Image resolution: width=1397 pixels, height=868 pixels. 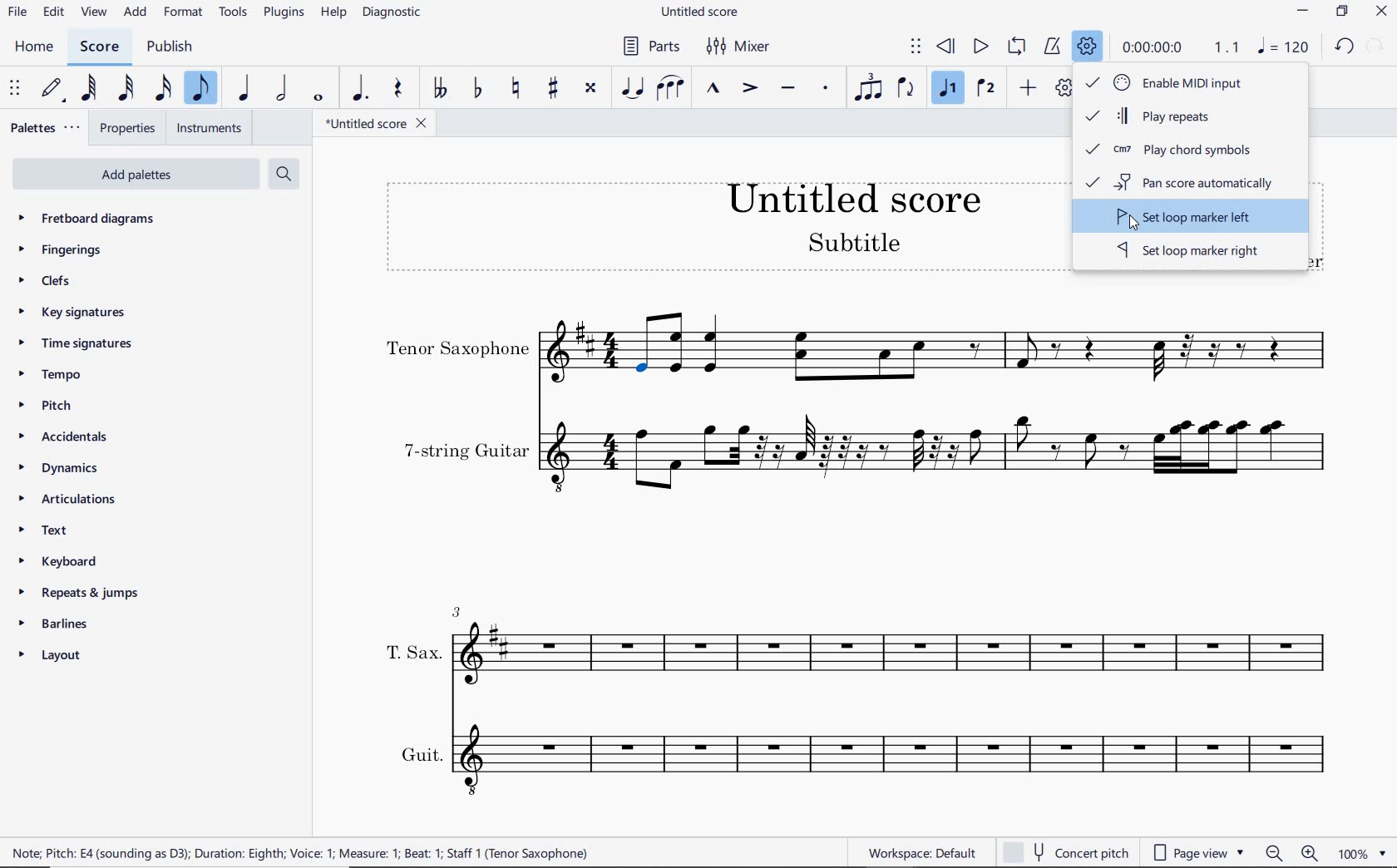 I want to click on HOME, so click(x=32, y=47).